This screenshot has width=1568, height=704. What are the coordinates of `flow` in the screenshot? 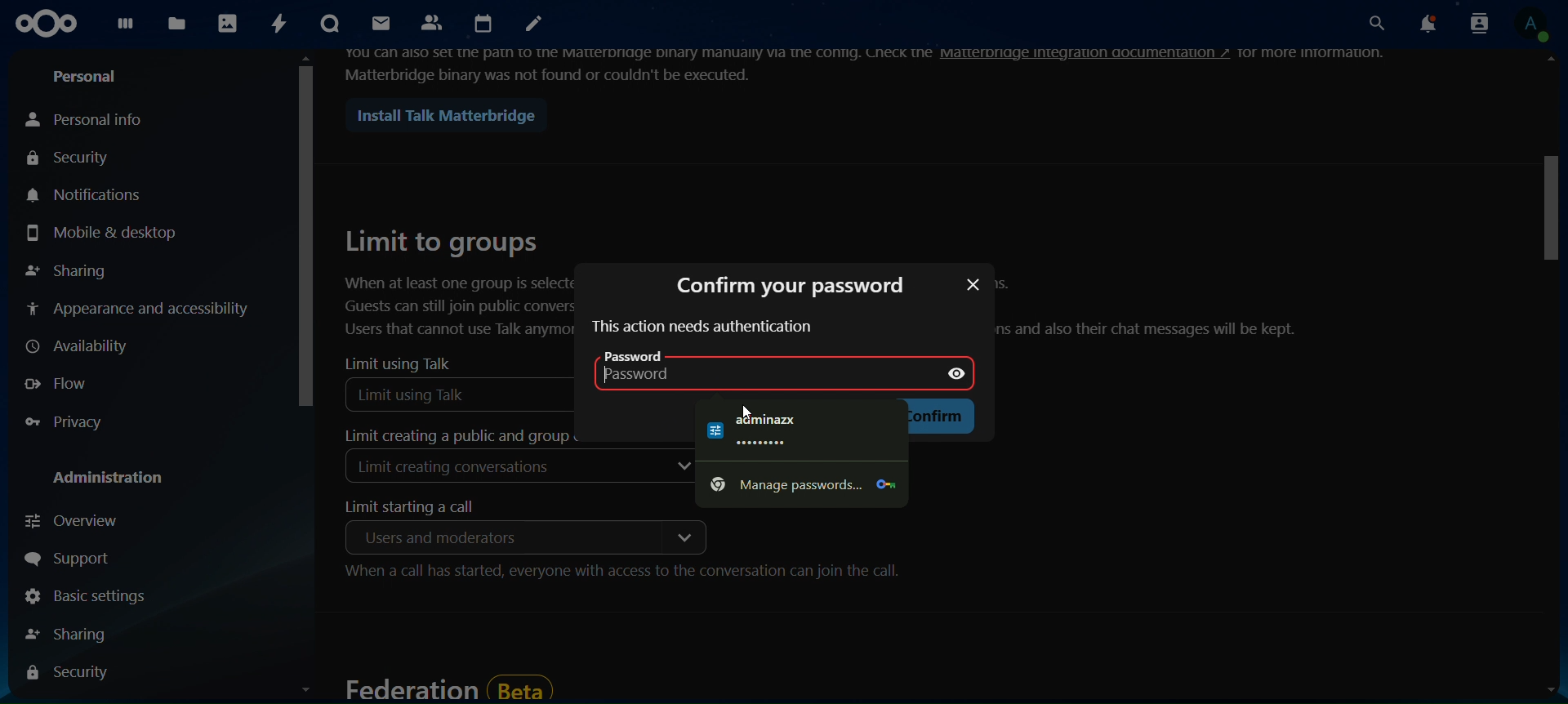 It's located at (65, 382).